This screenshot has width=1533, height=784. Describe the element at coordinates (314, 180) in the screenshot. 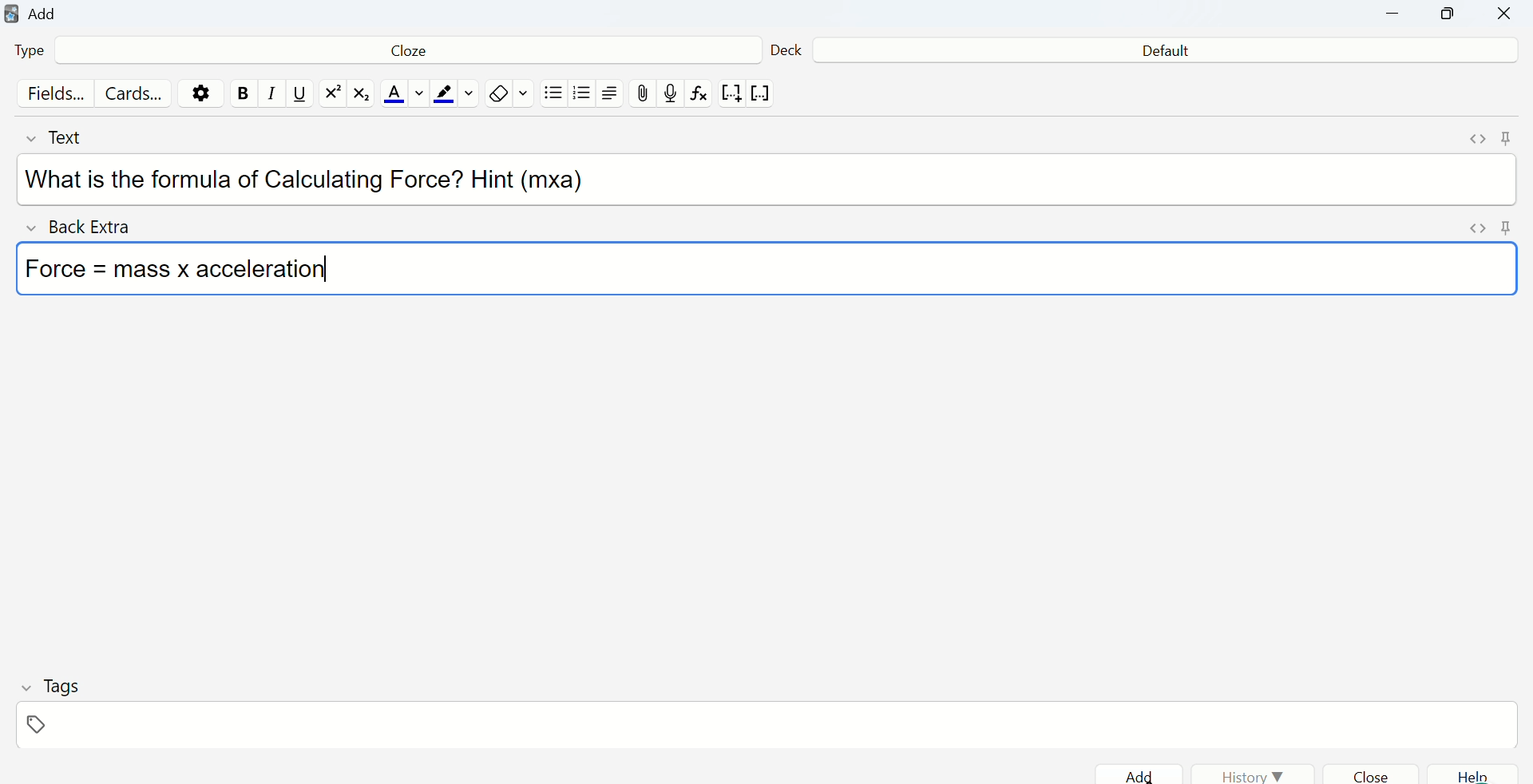

I see `What is the formula of Calculating Force? Hint (mxa)` at that location.